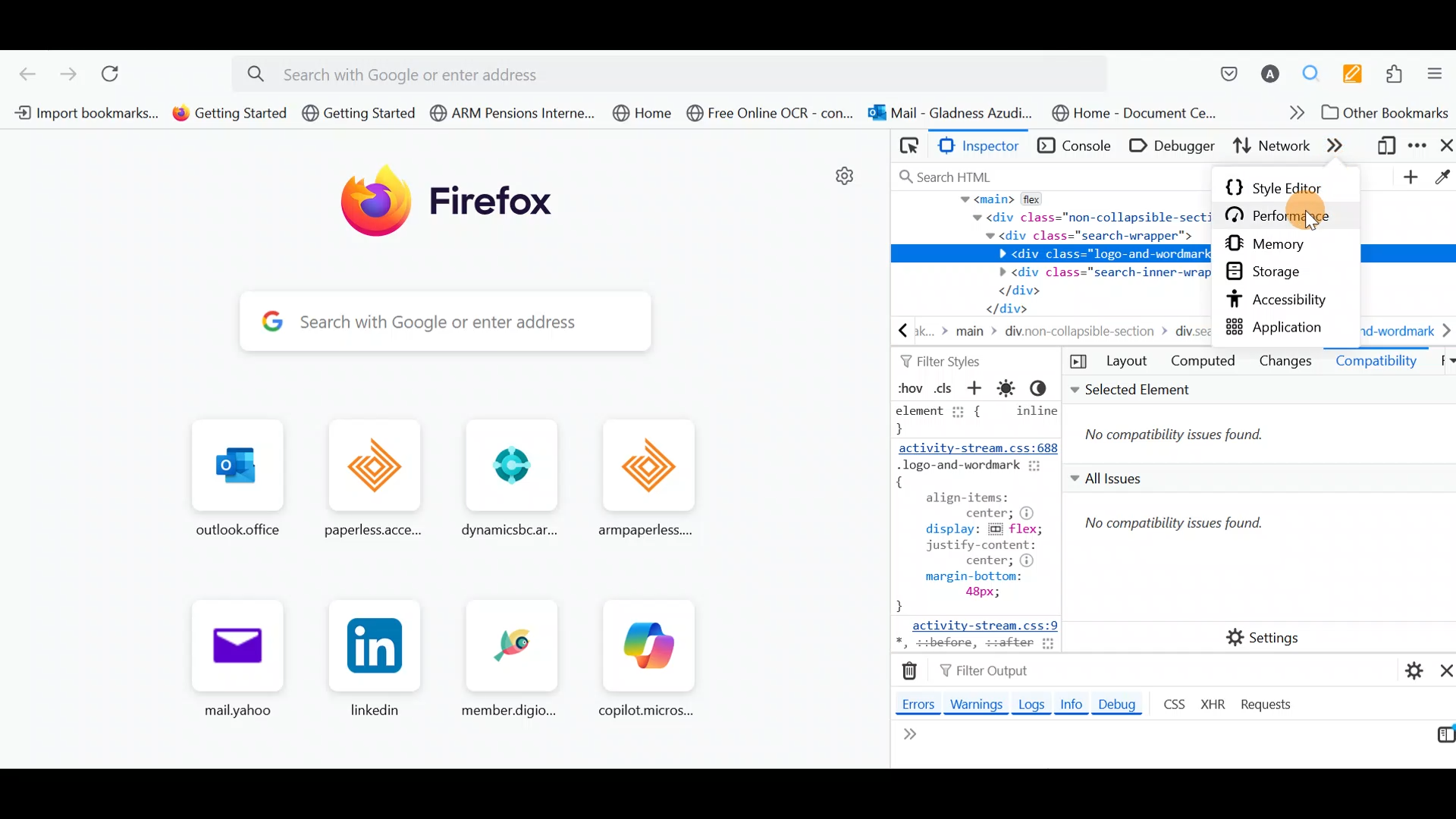 The image size is (1456, 819). Describe the element at coordinates (1071, 707) in the screenshot. I see `Info` at that location.